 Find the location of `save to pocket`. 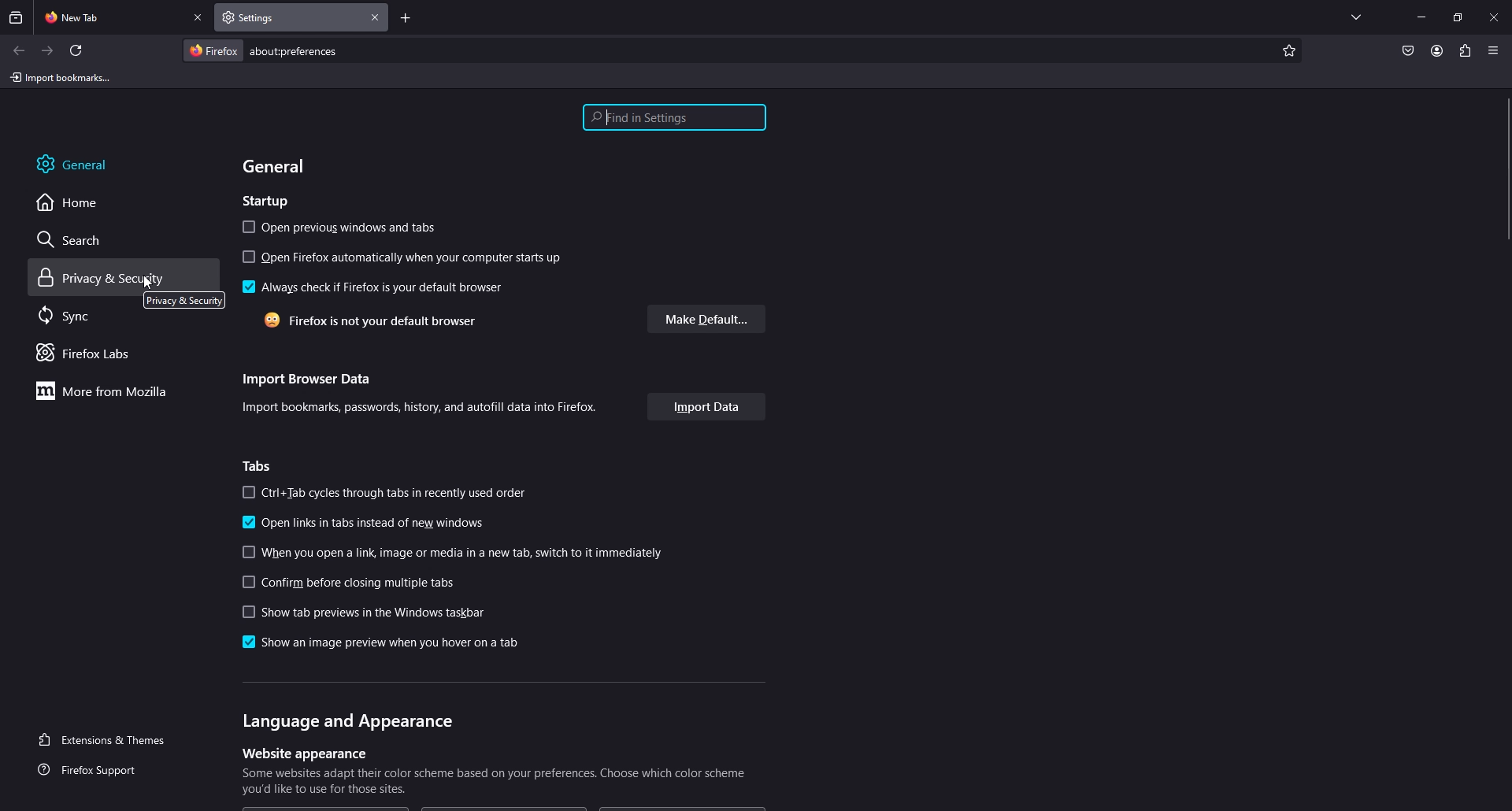

save to pocket is located at coordinates (1407, 52).